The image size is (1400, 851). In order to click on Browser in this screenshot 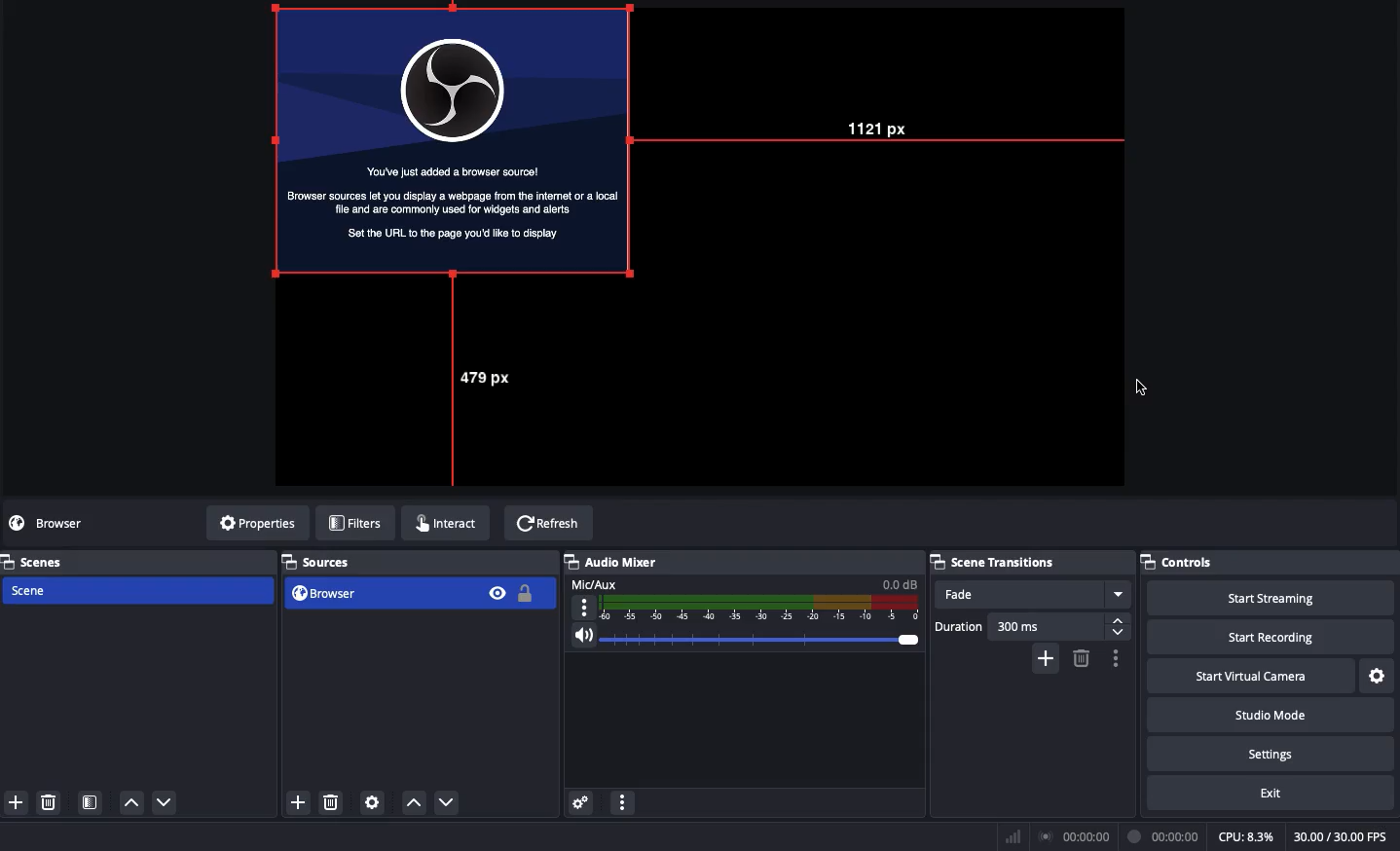, I will do `click(62, 524)`.